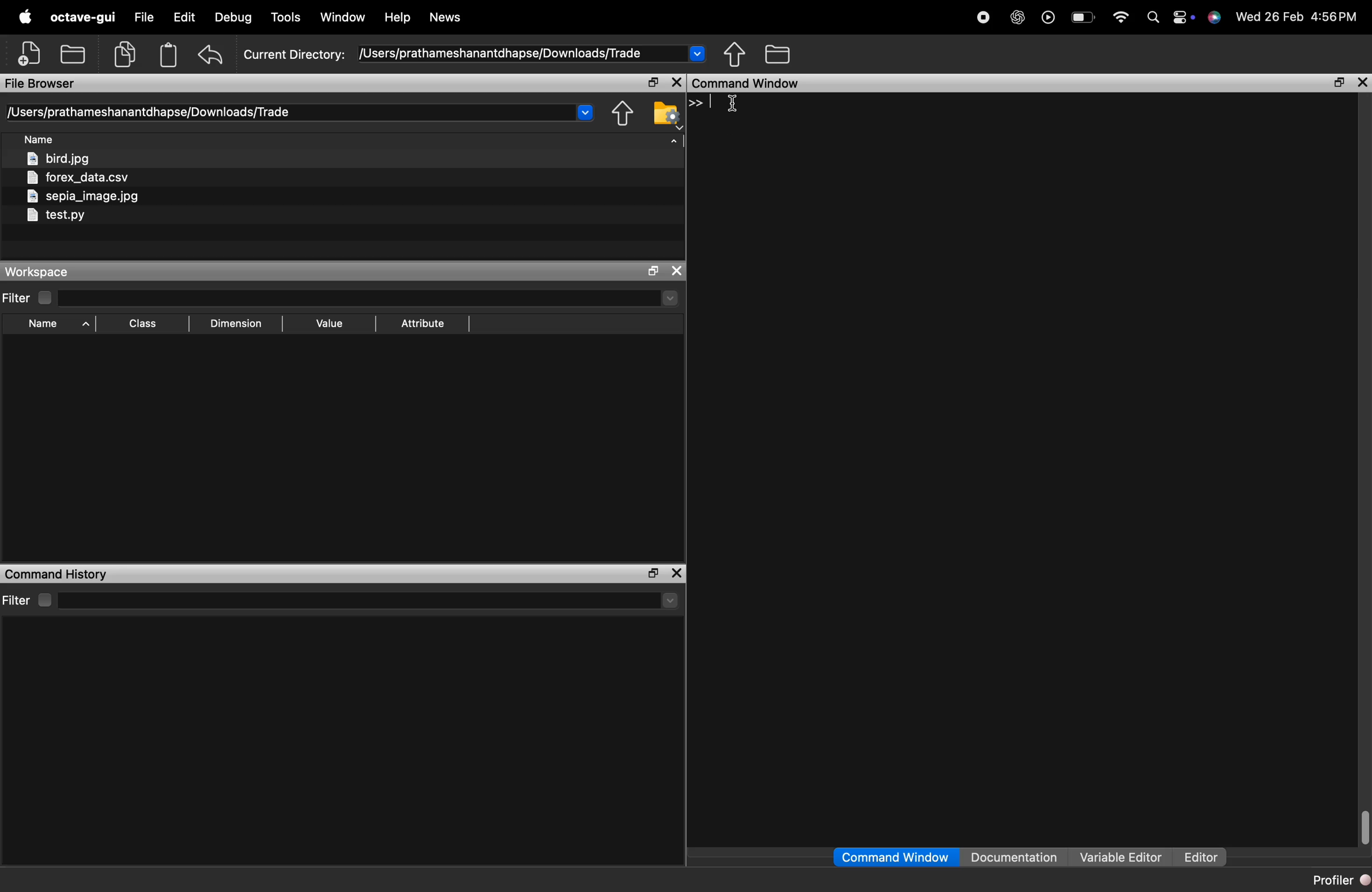  What do you see at coordinates (1084, 18) in the screenshot?
I see `Battery` at bounding box center [1084, 18].